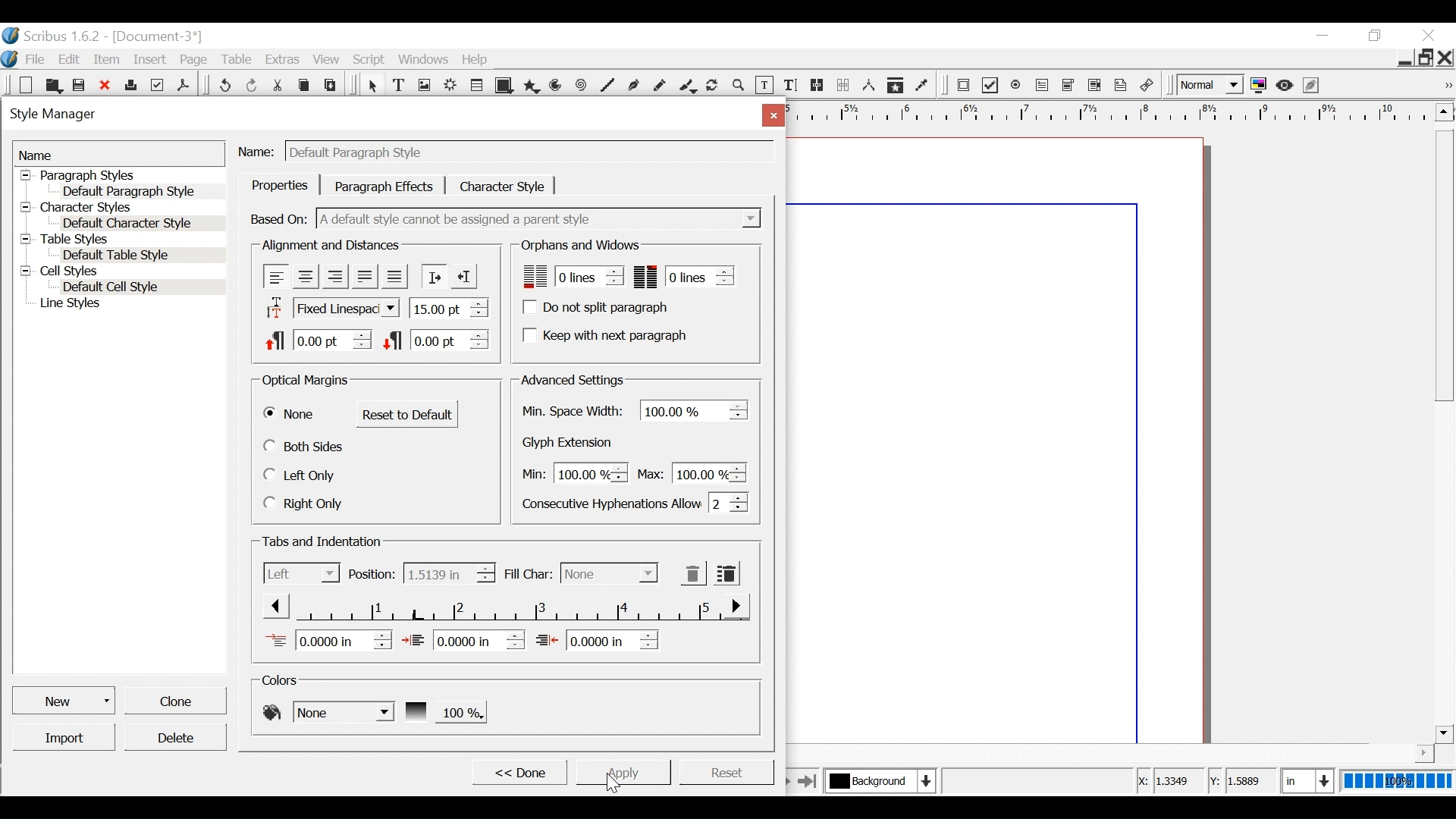  I want to click on Text Annotation, so click(1122, 86).